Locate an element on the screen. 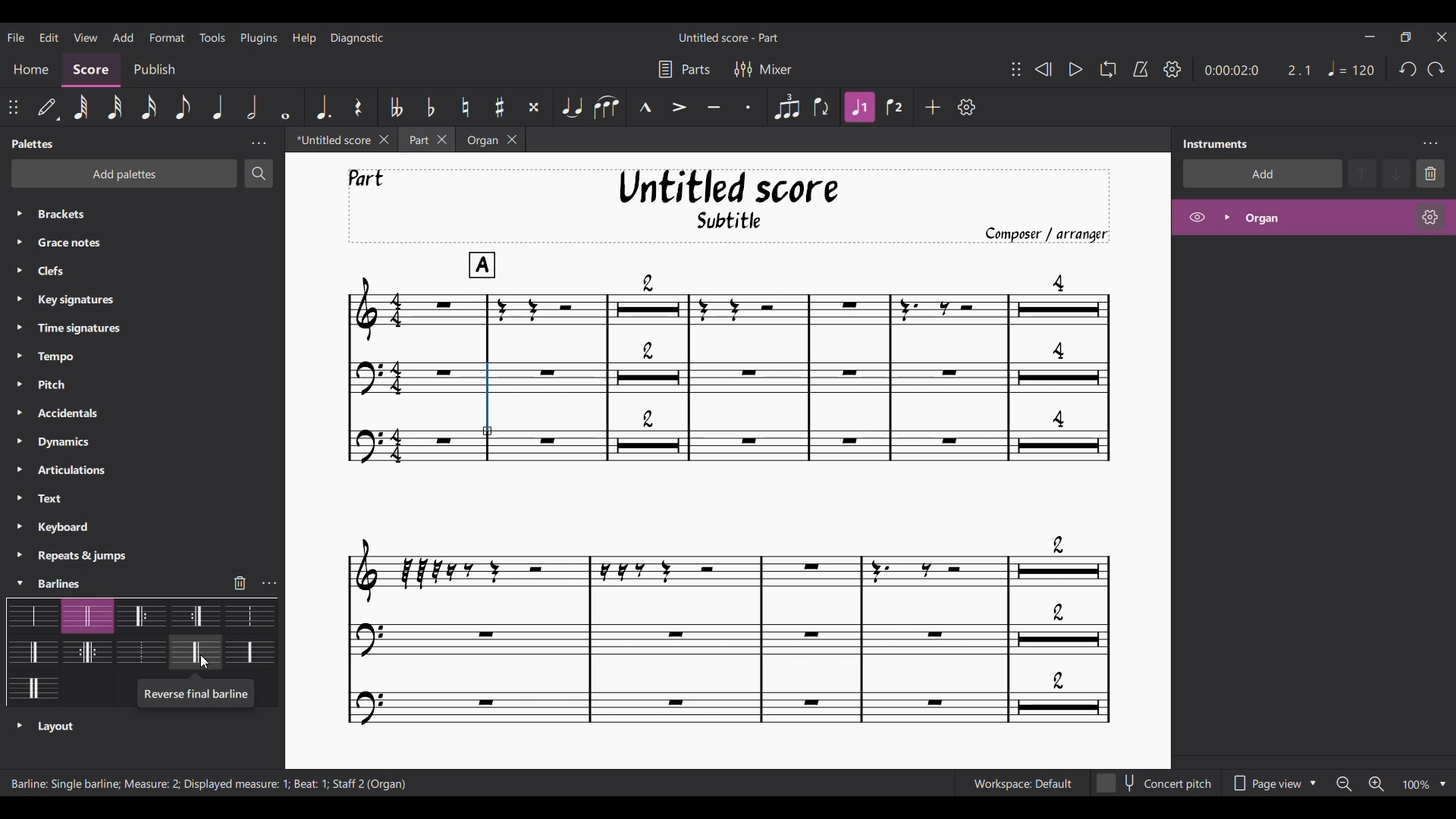  Toggle for concert pitch is located at coordinates (1156, 784).